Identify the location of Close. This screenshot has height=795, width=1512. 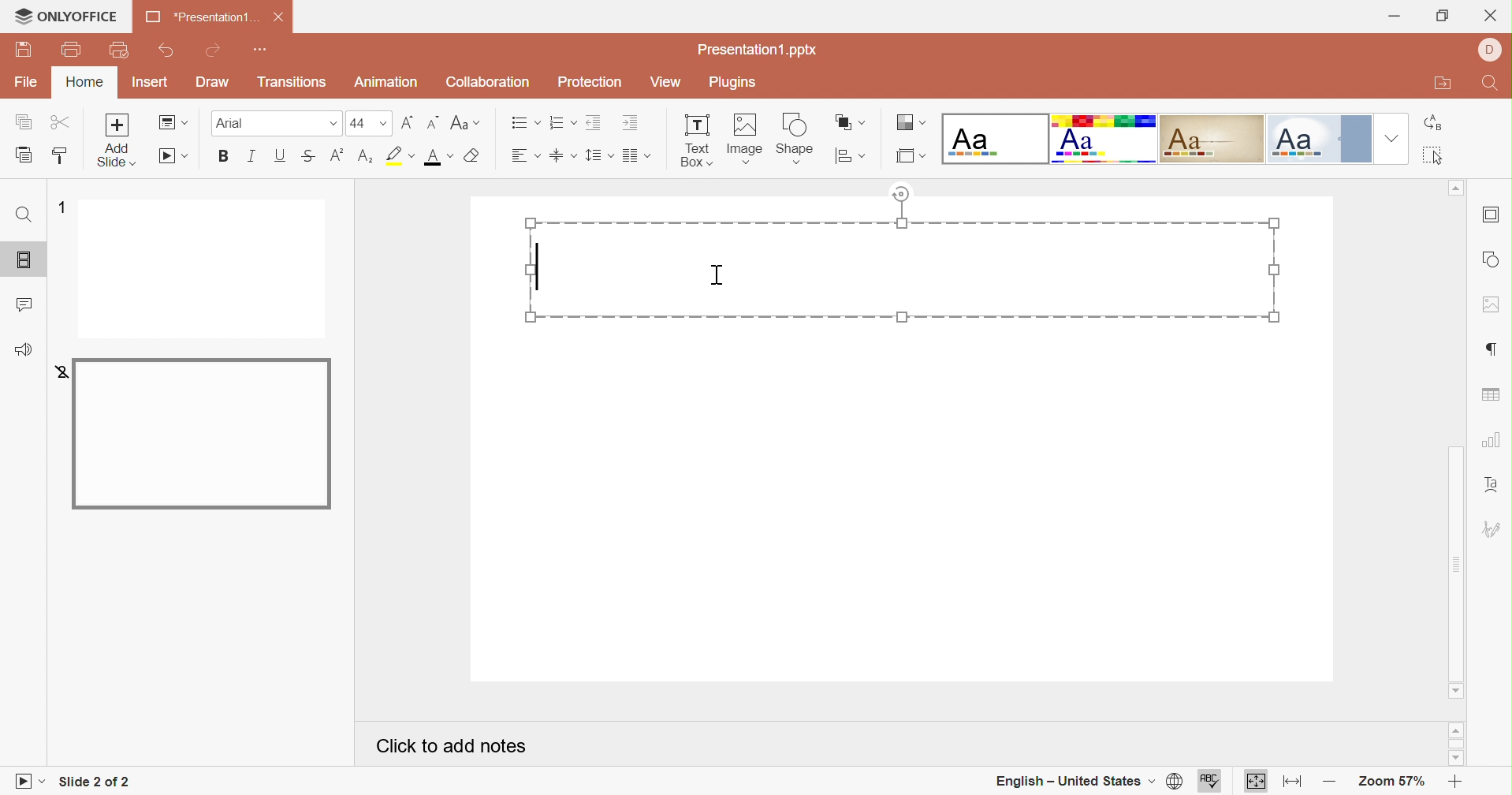
(283, 17).